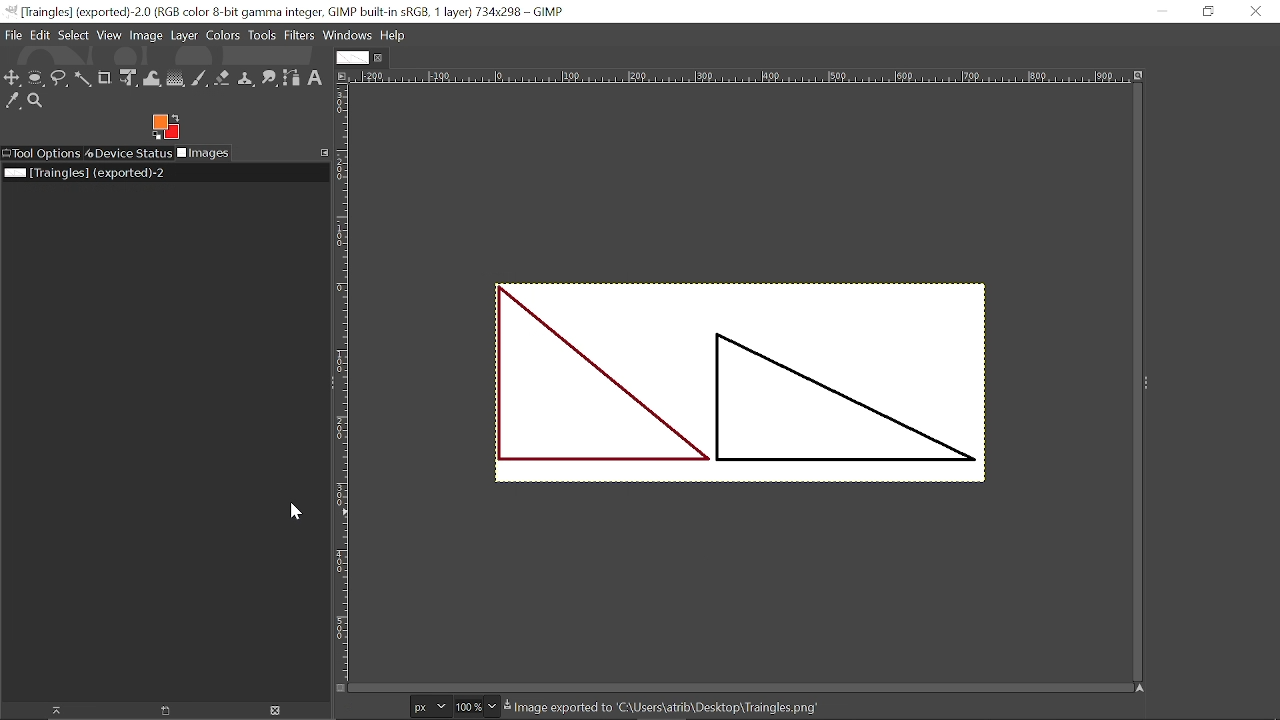  Describe the element at coordinates (495, 705) in the screenshot. I see `Zoom option` at that location.